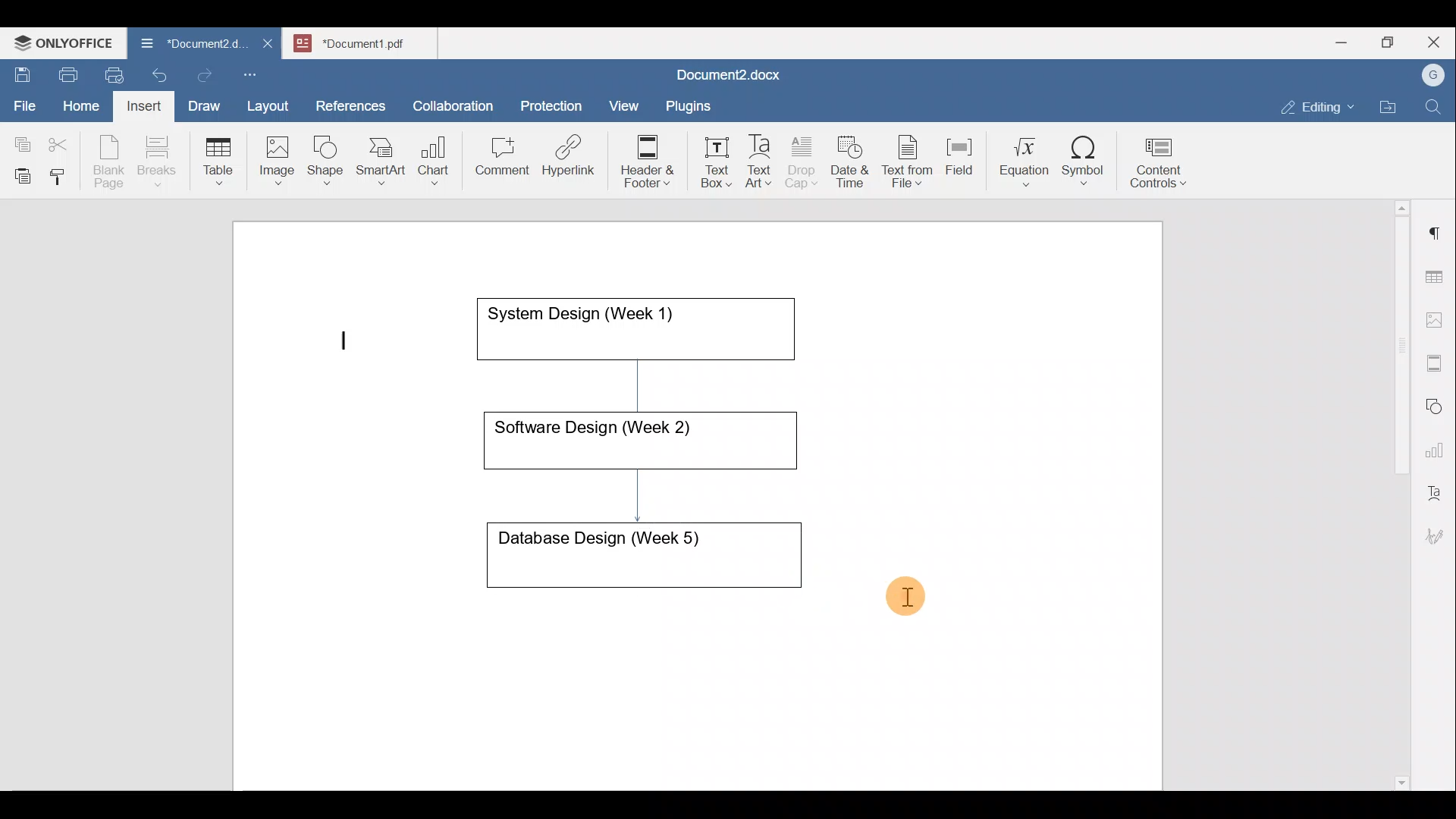 The image size is (1456, 819). What do you see at coordinates (1396, 492) in the screenshot?
I see `Scroll bar` at bounding box center [1396, 492].